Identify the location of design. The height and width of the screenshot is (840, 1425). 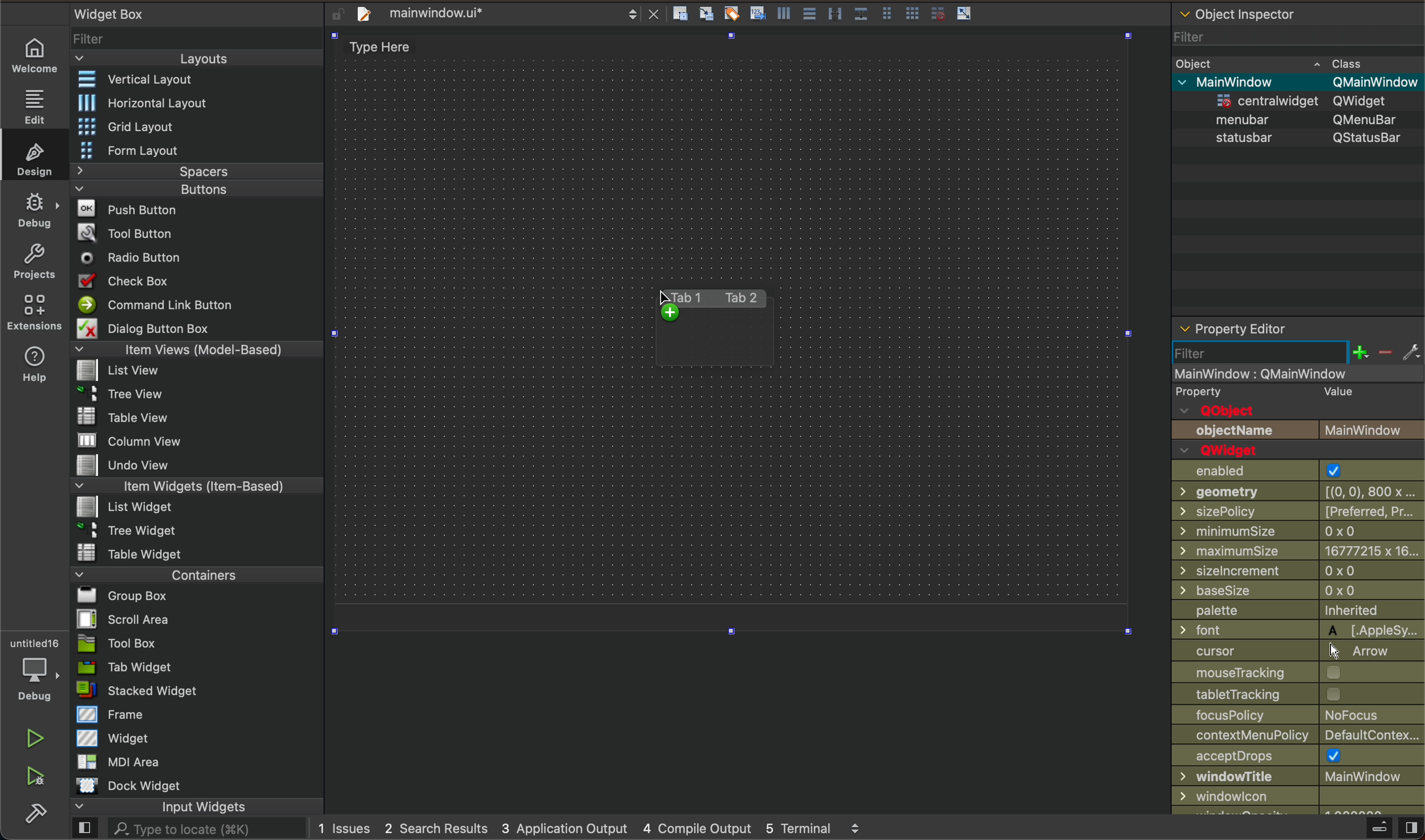
(34, 156).